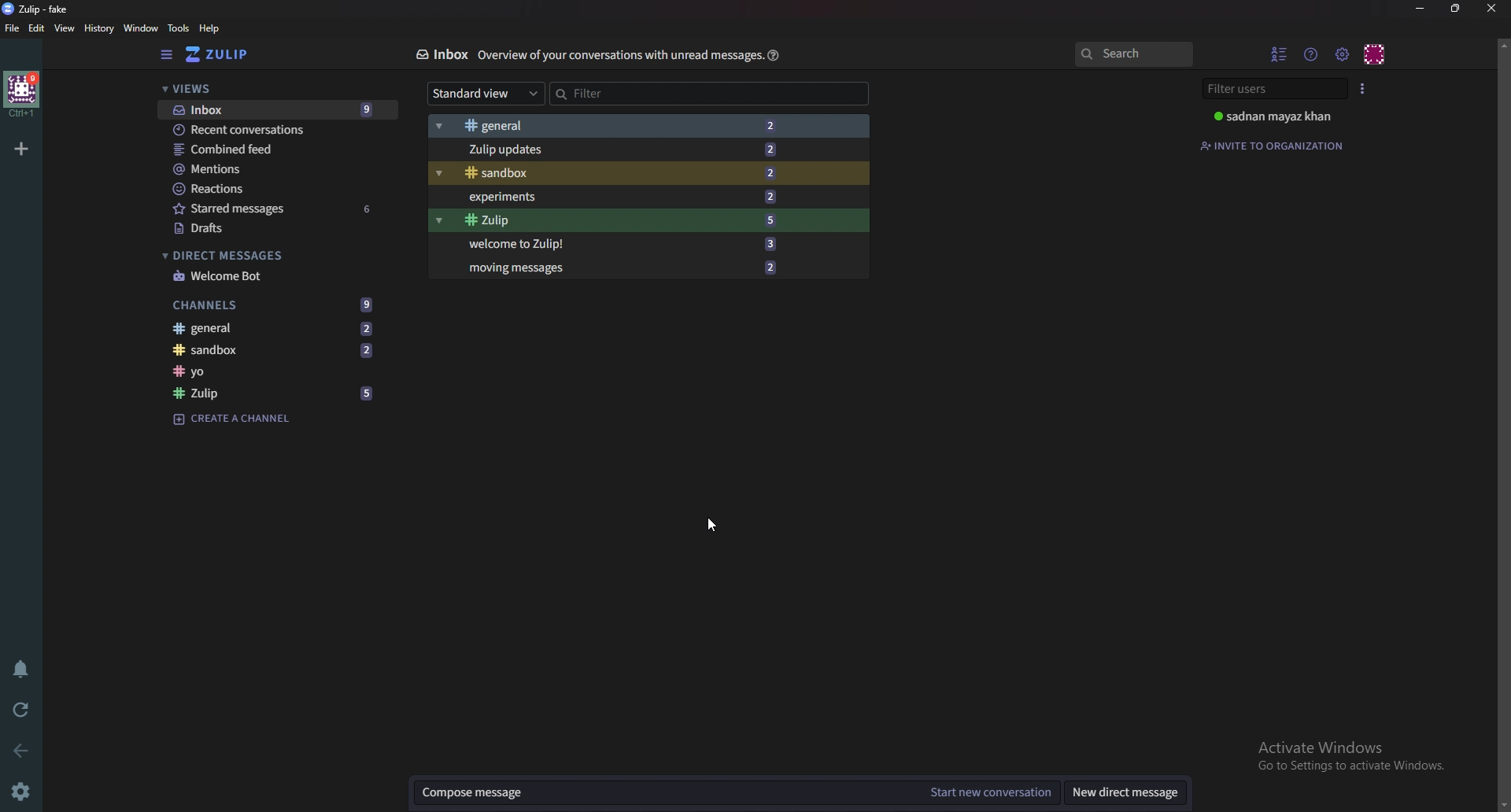 The image size is (1511, 812). What do you see at coordinates (627, 268) in the screenshot?
I see `moving messages` at bounding box center [627, 268].